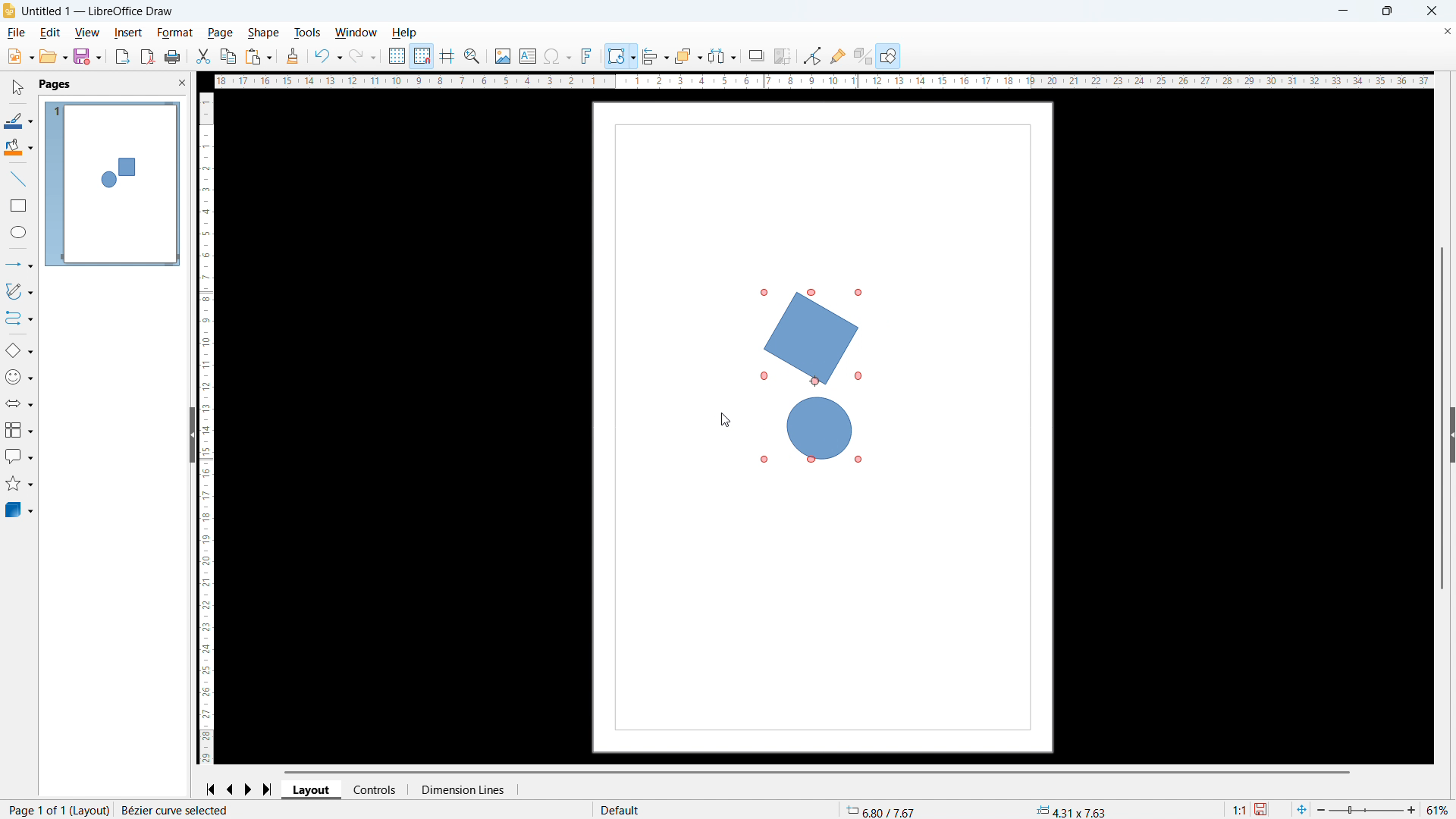  I want to click on shape , so click(264, 33).